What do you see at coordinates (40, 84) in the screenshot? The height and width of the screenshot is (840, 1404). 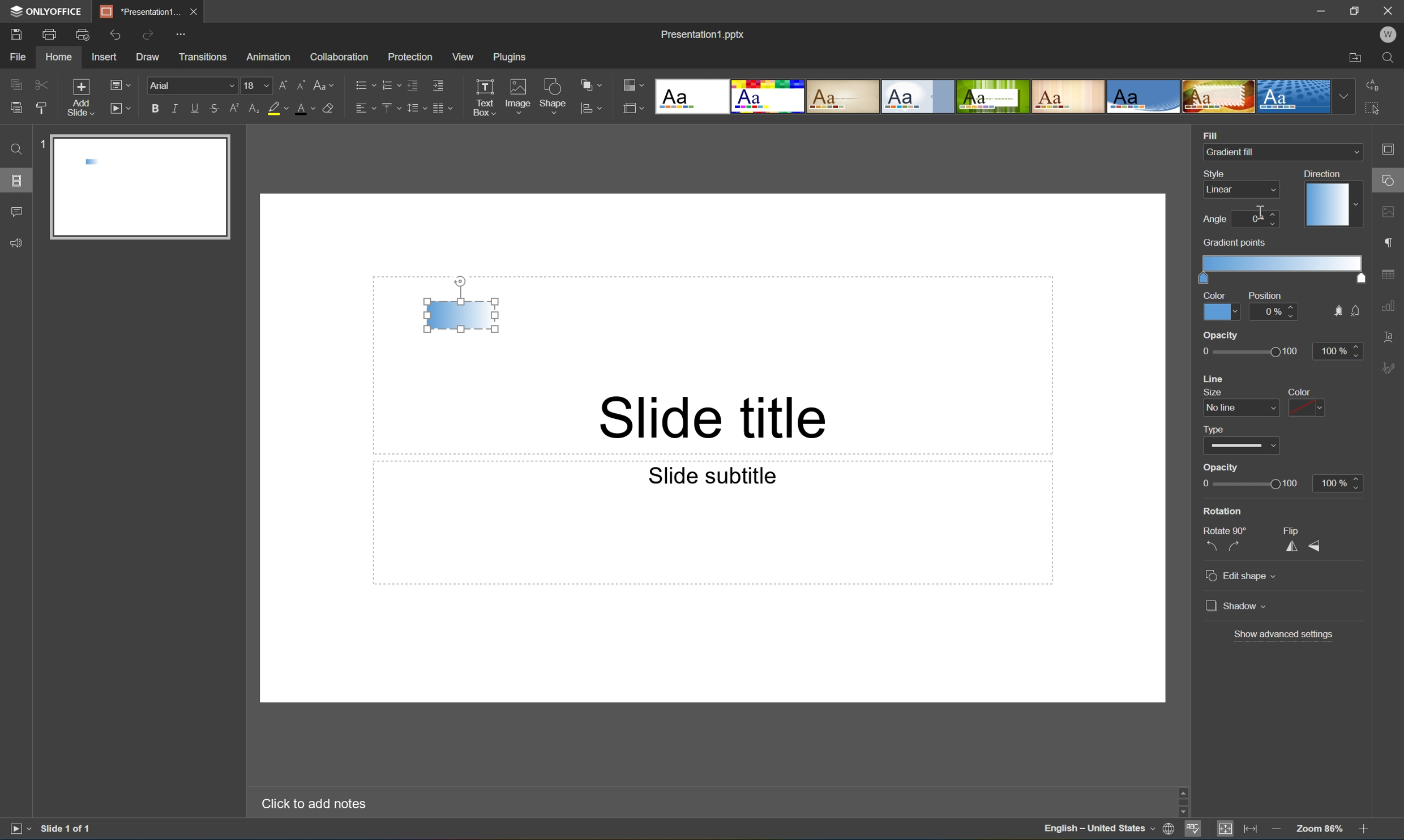 I see `Cut` at bounding box center [40, 84].